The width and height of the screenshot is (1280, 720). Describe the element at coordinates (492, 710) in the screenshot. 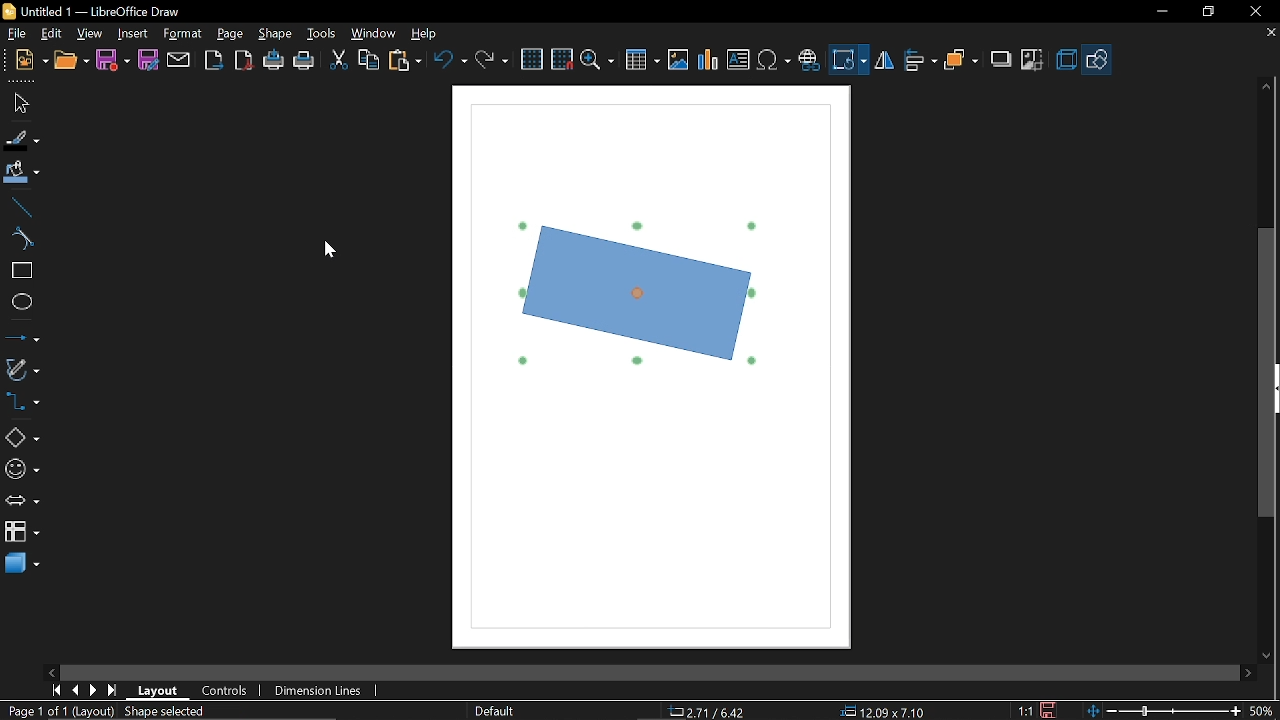

I see `Default` at that location.